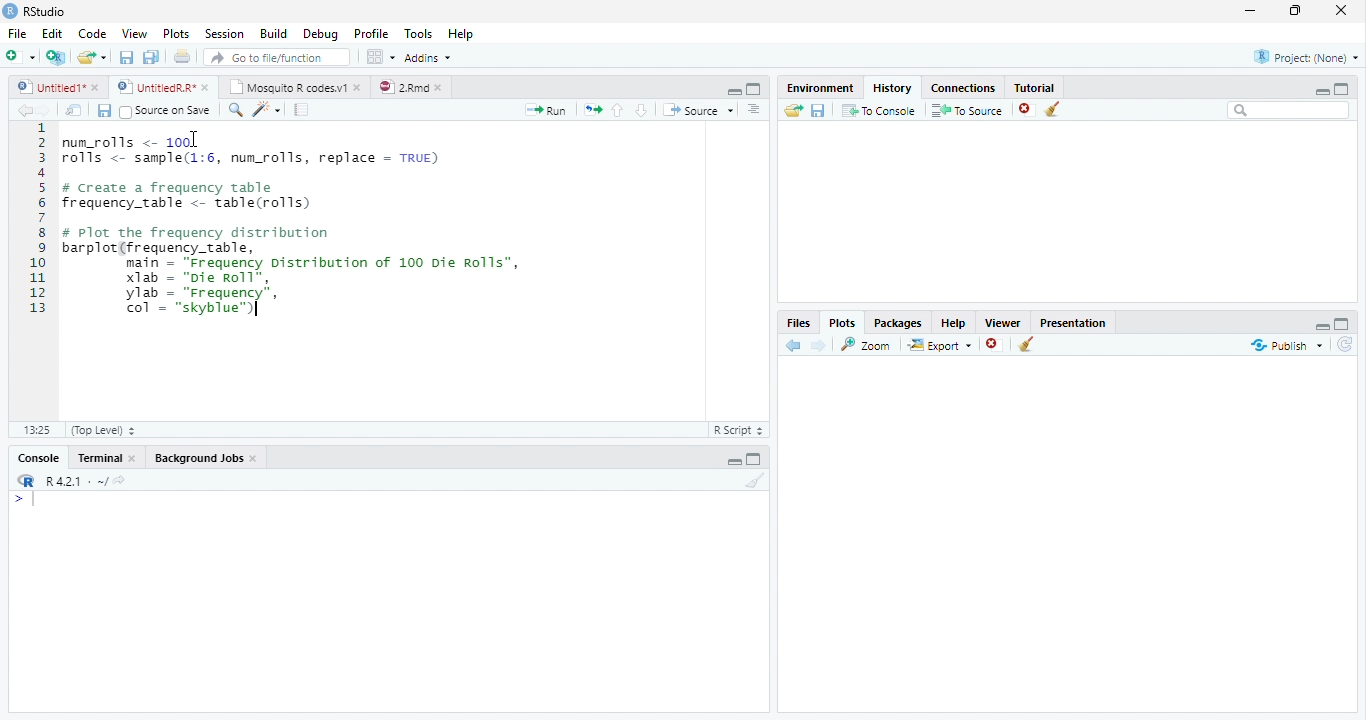  Describe the element at coordinates (353, 271) in the screenshot. I see `Code Editor` at that location.